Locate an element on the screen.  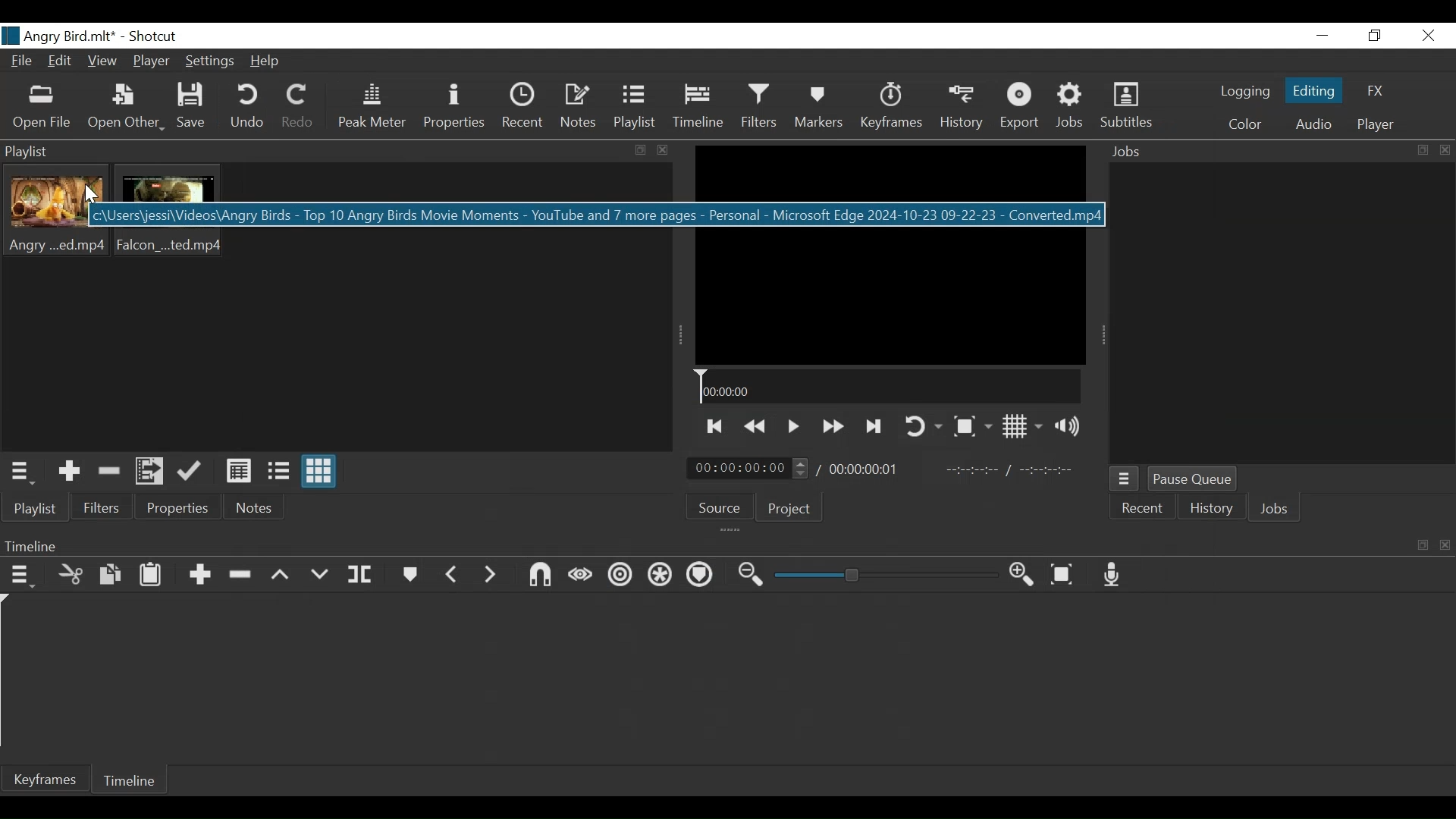
Playlist Panel is located at coordinates (338, 152).